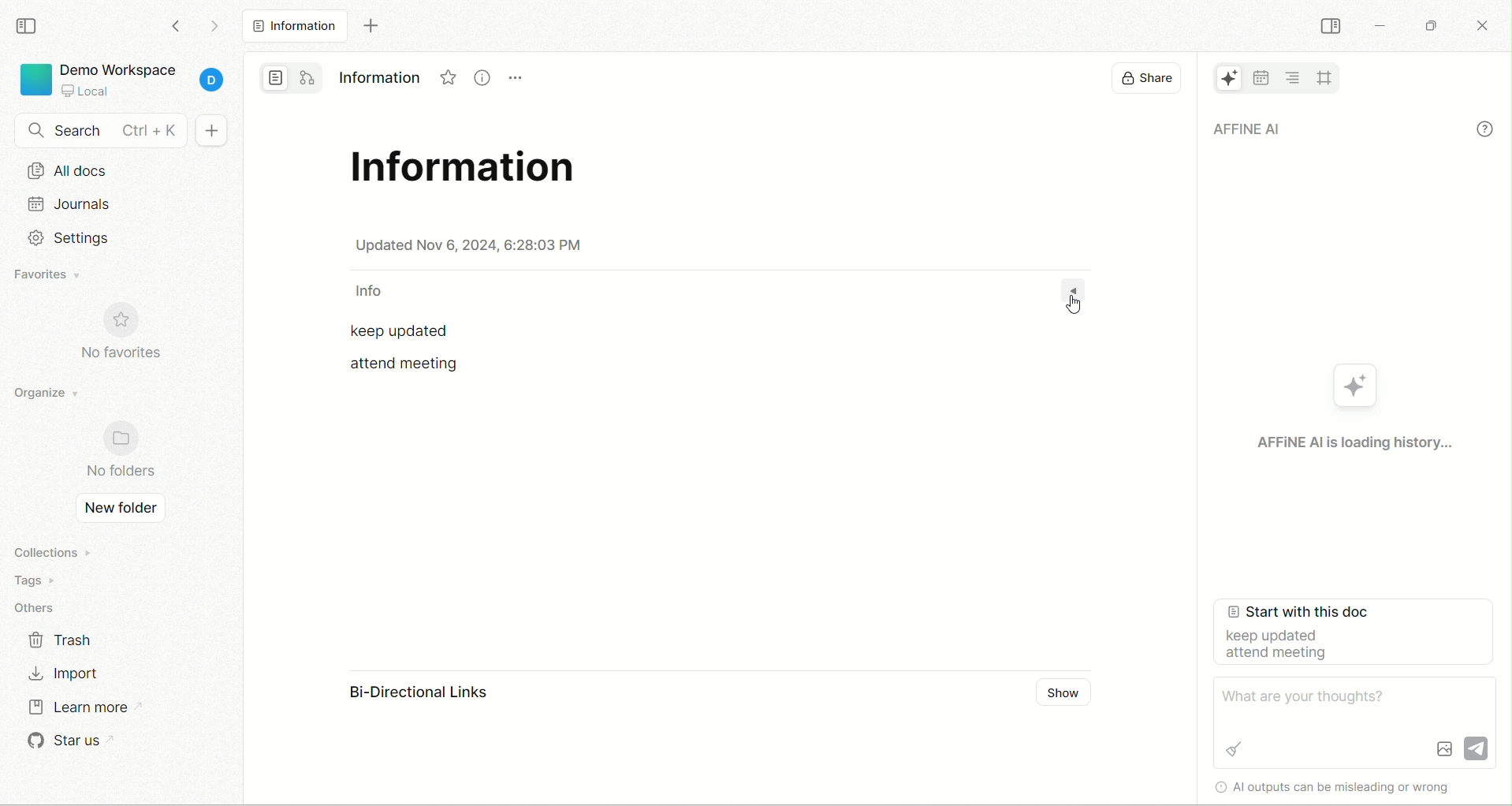 The height and width of the screenshot is (806, 1512). Describe the element at coordinates (393, 331) in the screenshot. I see `keep updated` at that location.